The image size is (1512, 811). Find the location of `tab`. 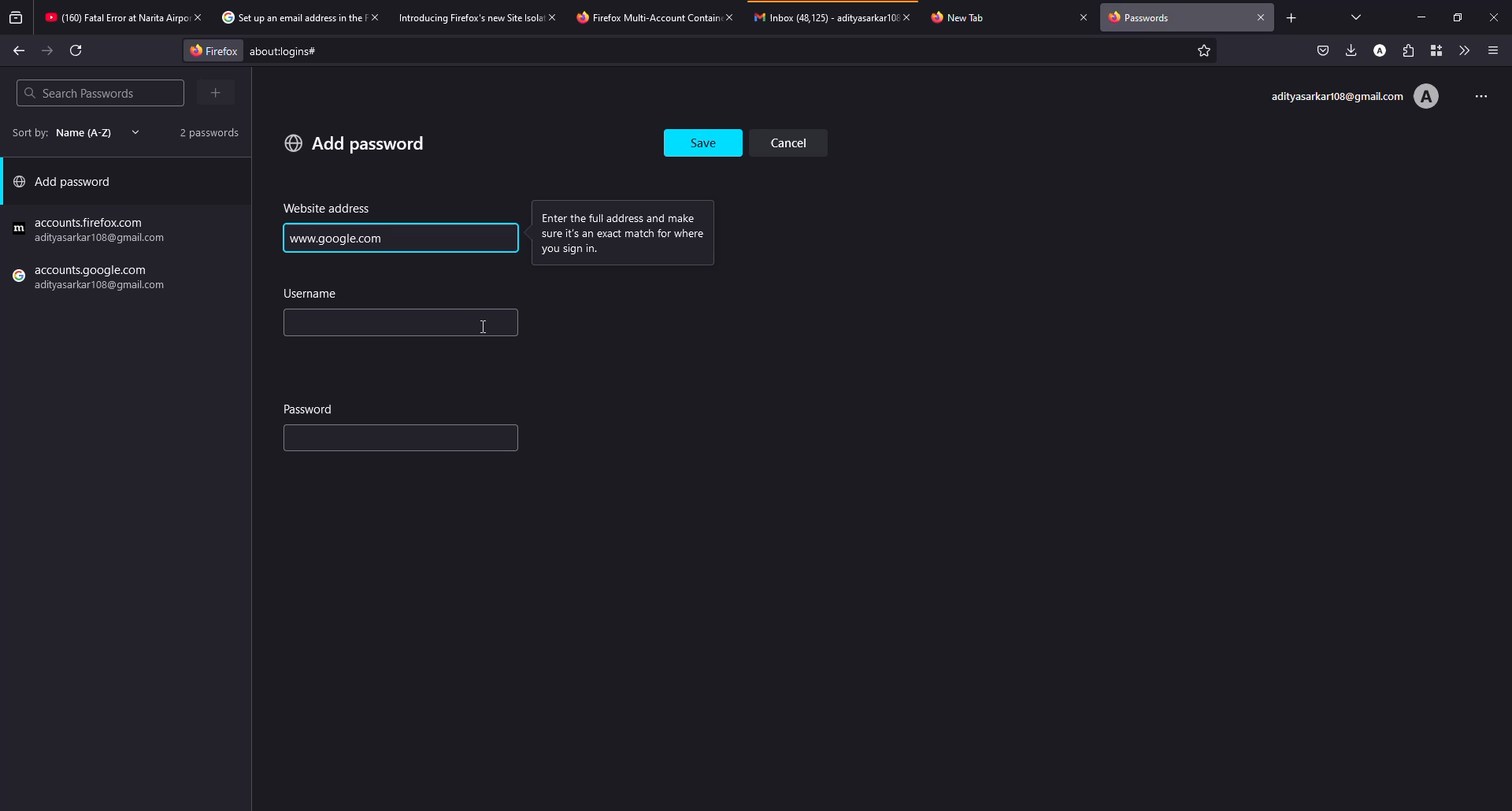

tab is located at coordinates (824, 17).